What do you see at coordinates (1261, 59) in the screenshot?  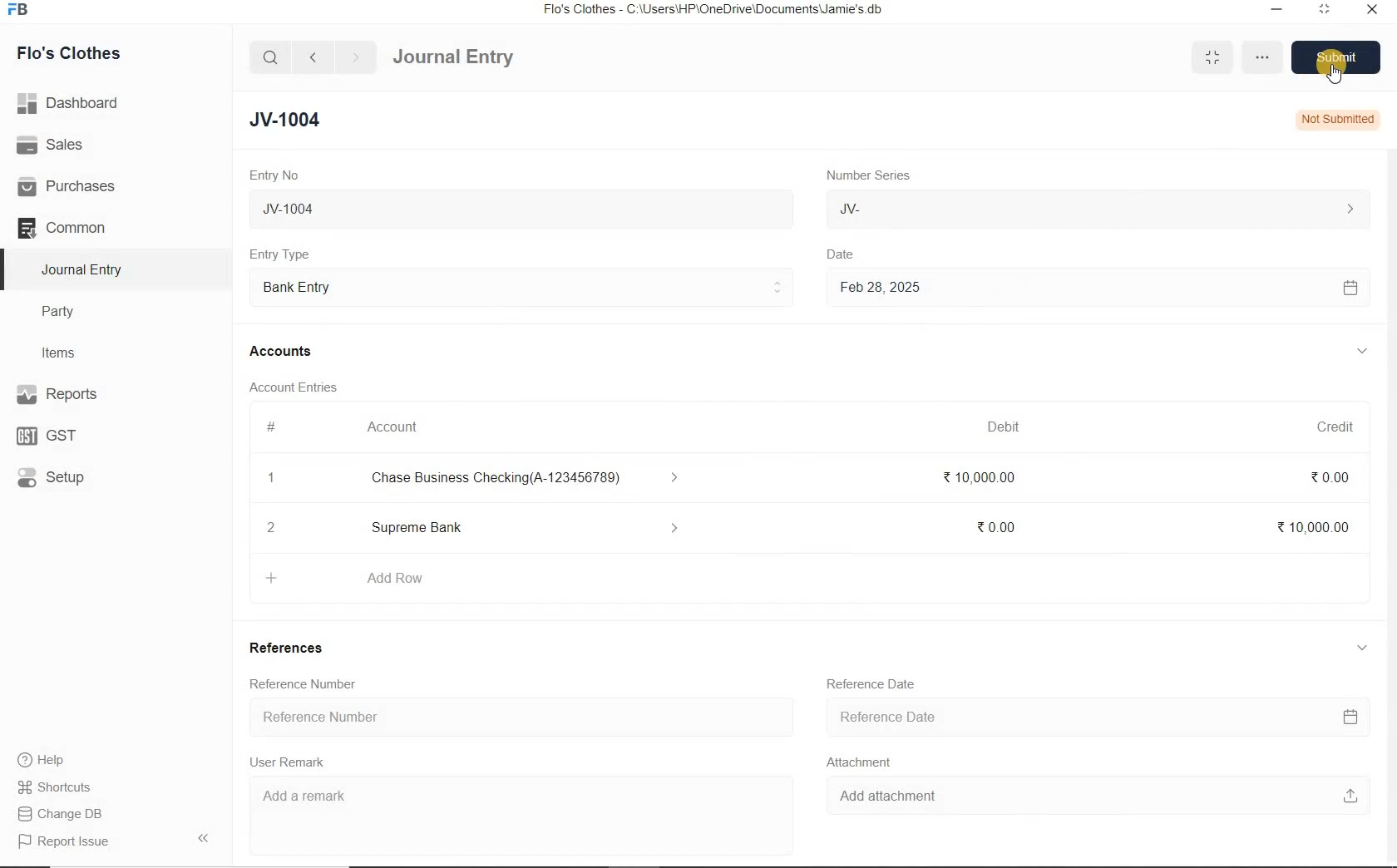 I see `more options` at bounding box center [1261, 59].